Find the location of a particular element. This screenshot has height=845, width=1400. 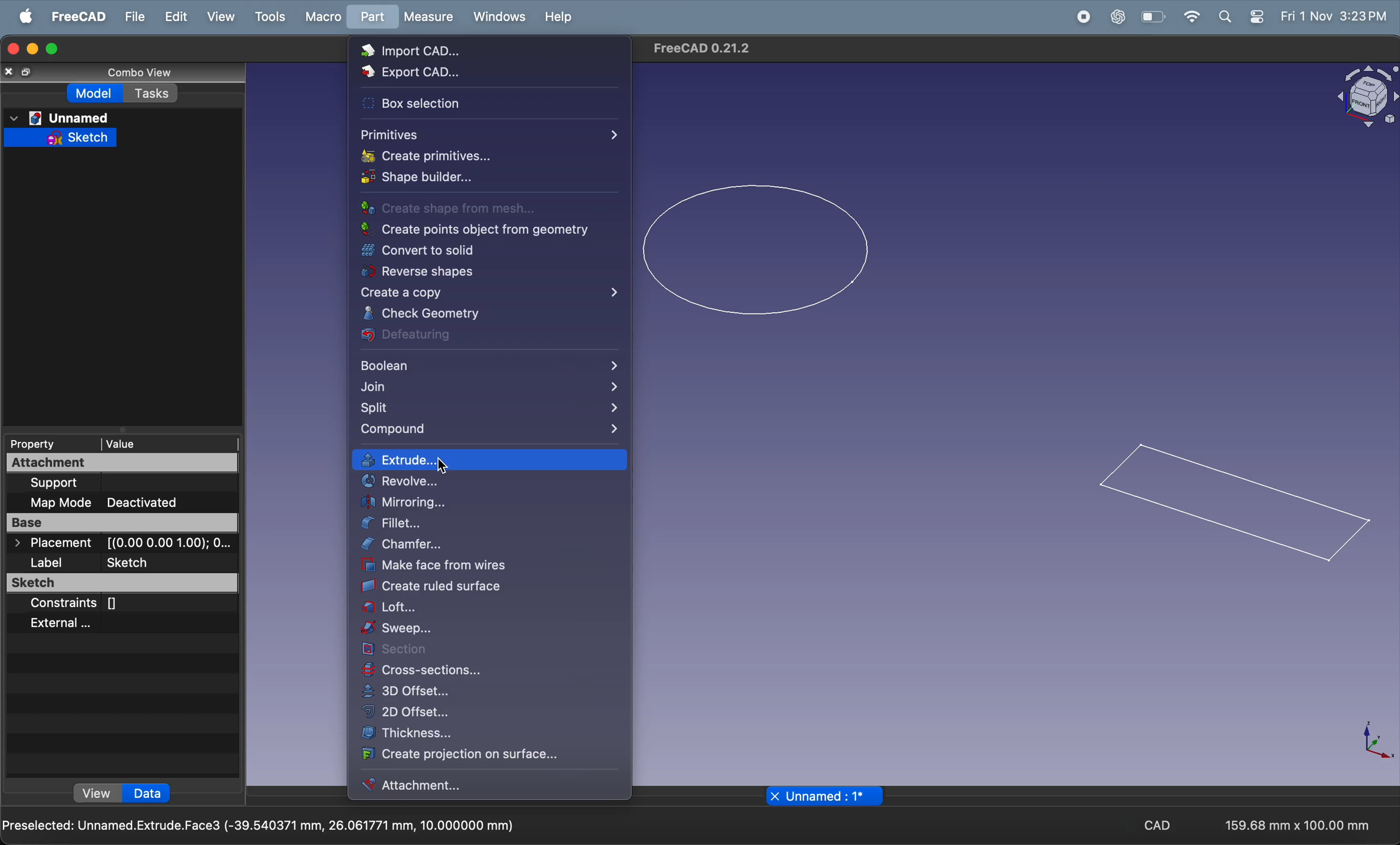

FreeCAD 0.21.2 is located at coordinates (706, 49).